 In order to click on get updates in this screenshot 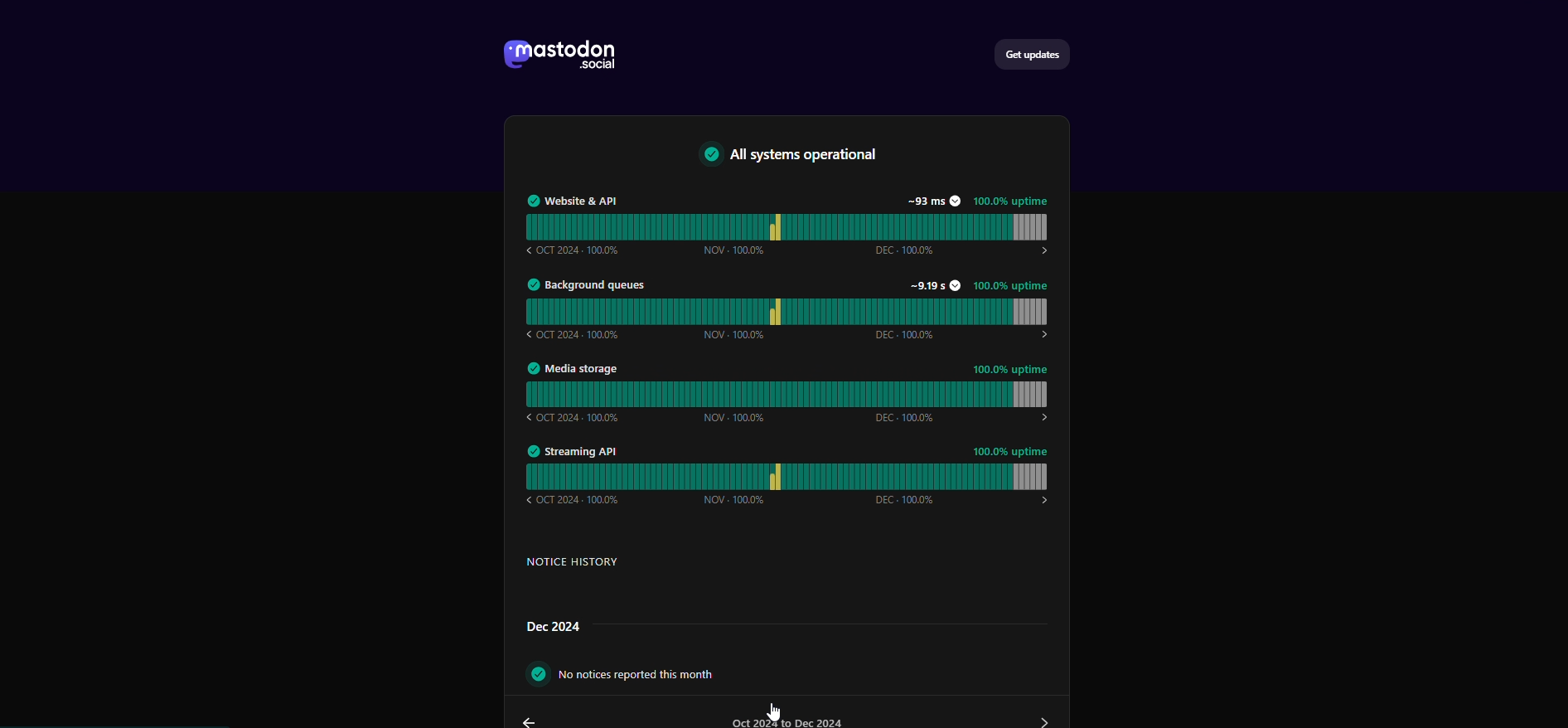, I will do `click(1041, 52)`.